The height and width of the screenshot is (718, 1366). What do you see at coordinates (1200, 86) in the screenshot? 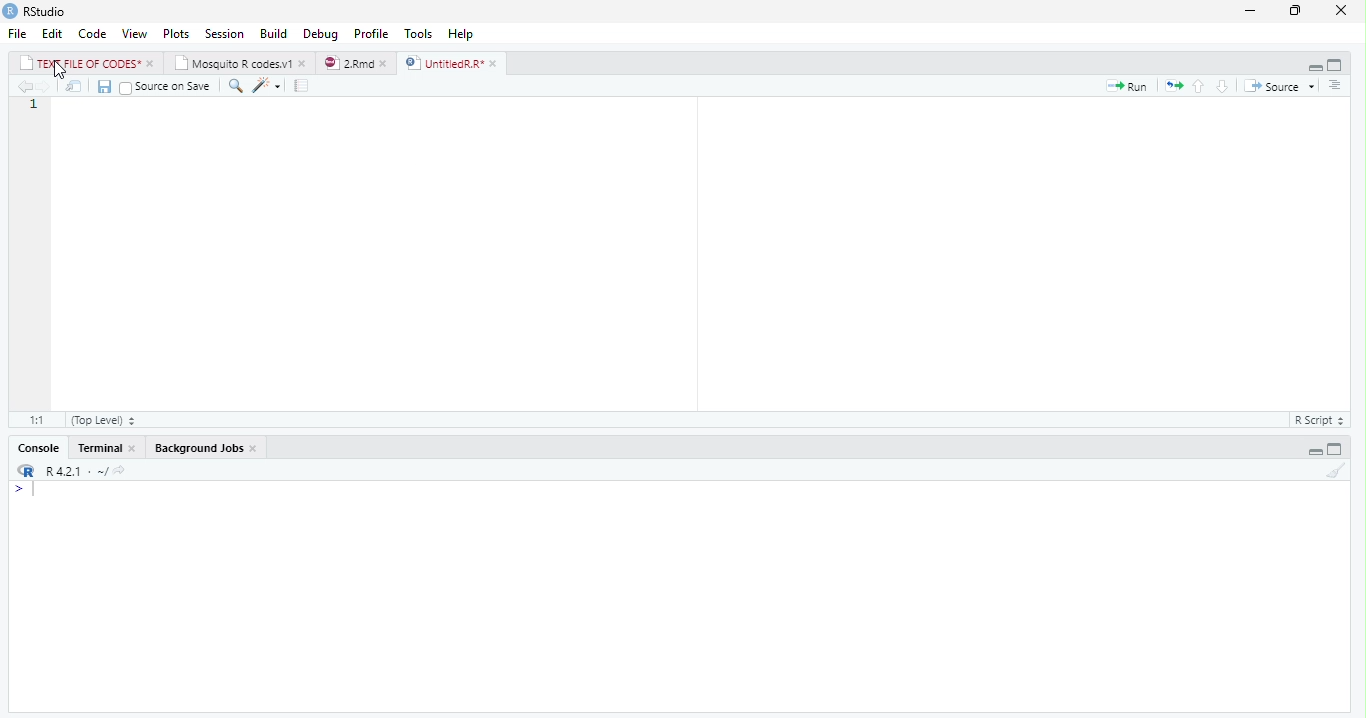
I see `Go to previous section` at bounding box center [1200, 86].